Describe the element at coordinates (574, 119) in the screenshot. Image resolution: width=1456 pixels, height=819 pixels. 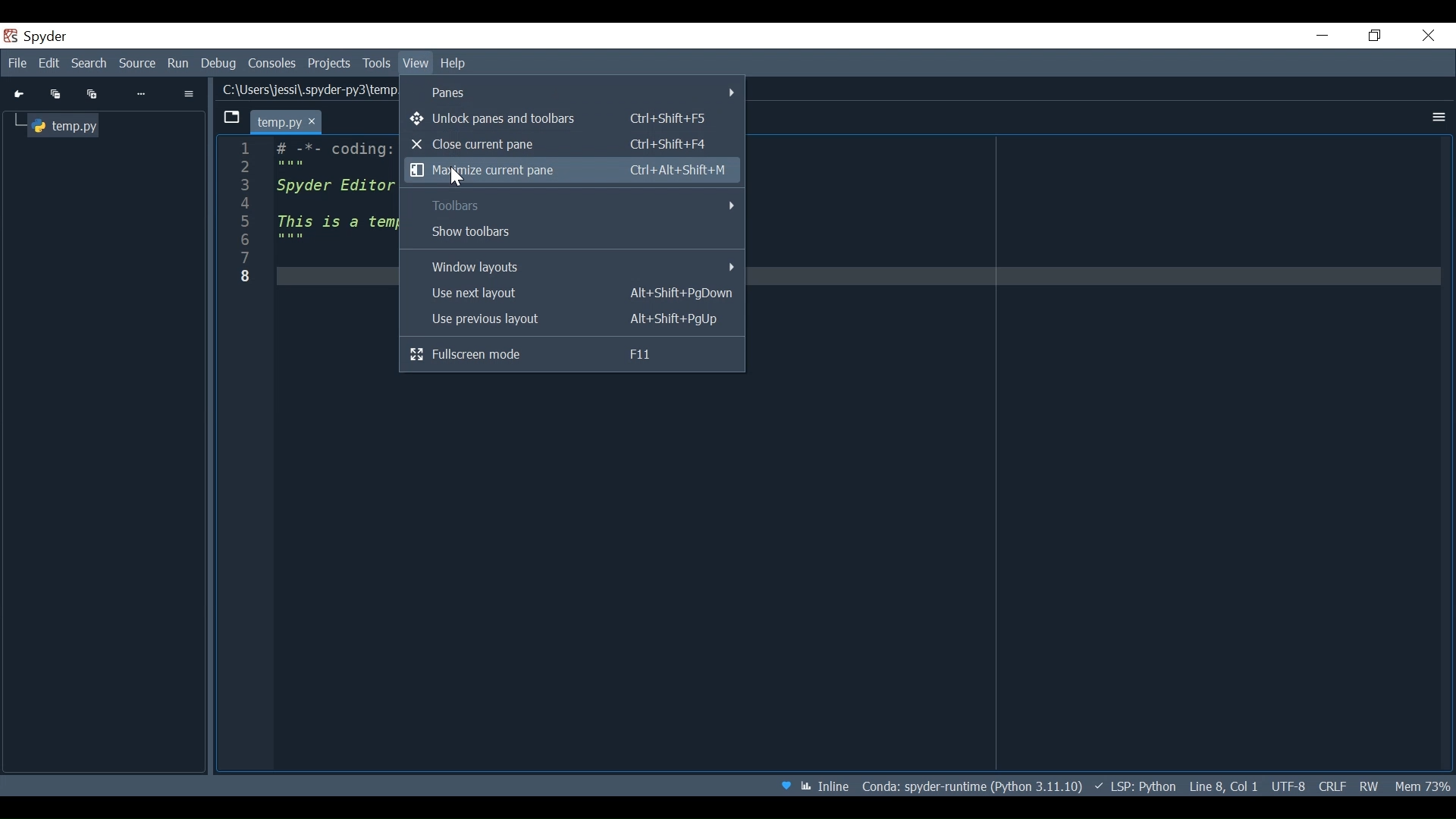
I see `Unlock Panes and toolbars` at that location.